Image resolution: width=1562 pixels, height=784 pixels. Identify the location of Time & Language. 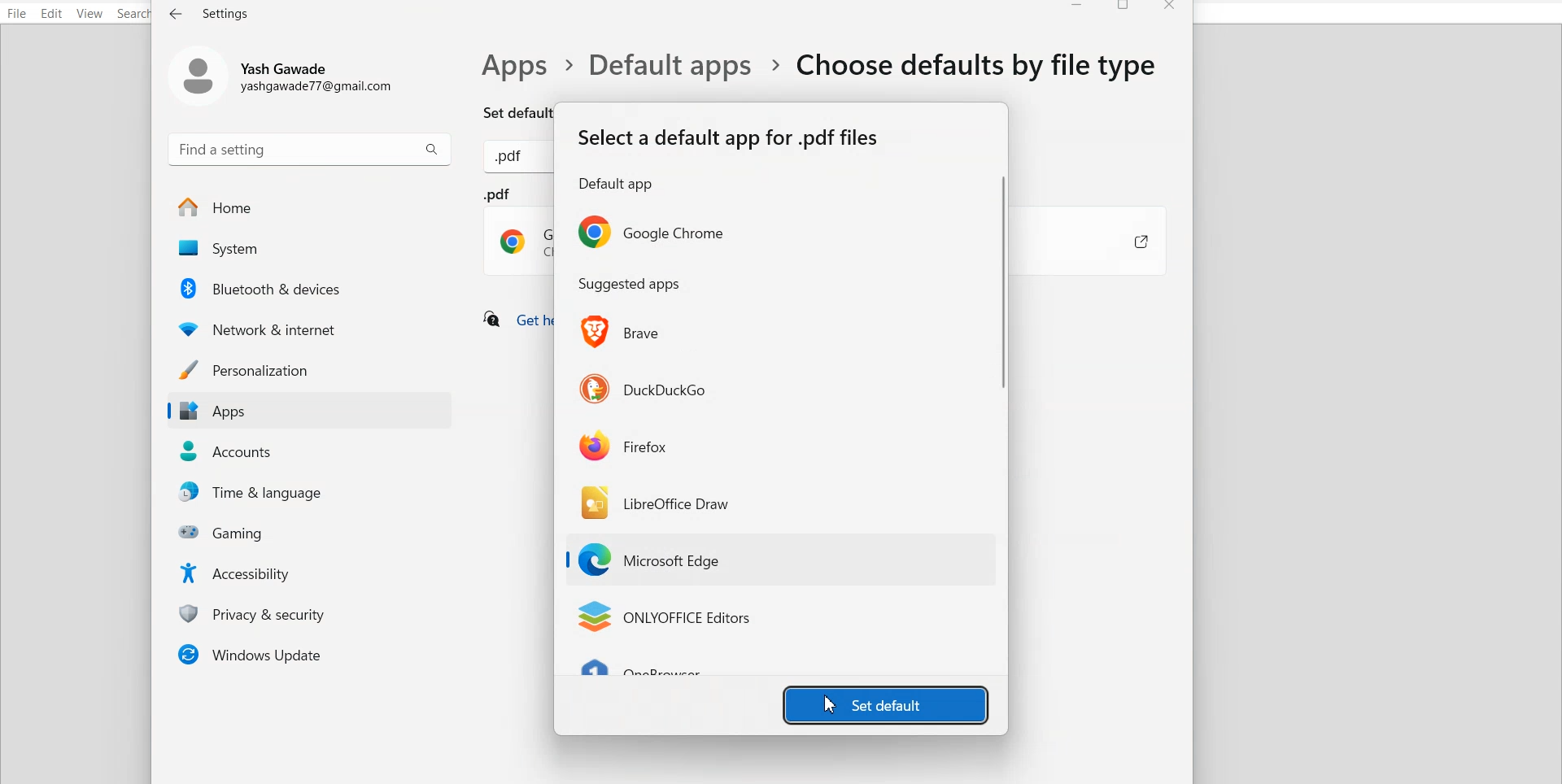
(314, 493).